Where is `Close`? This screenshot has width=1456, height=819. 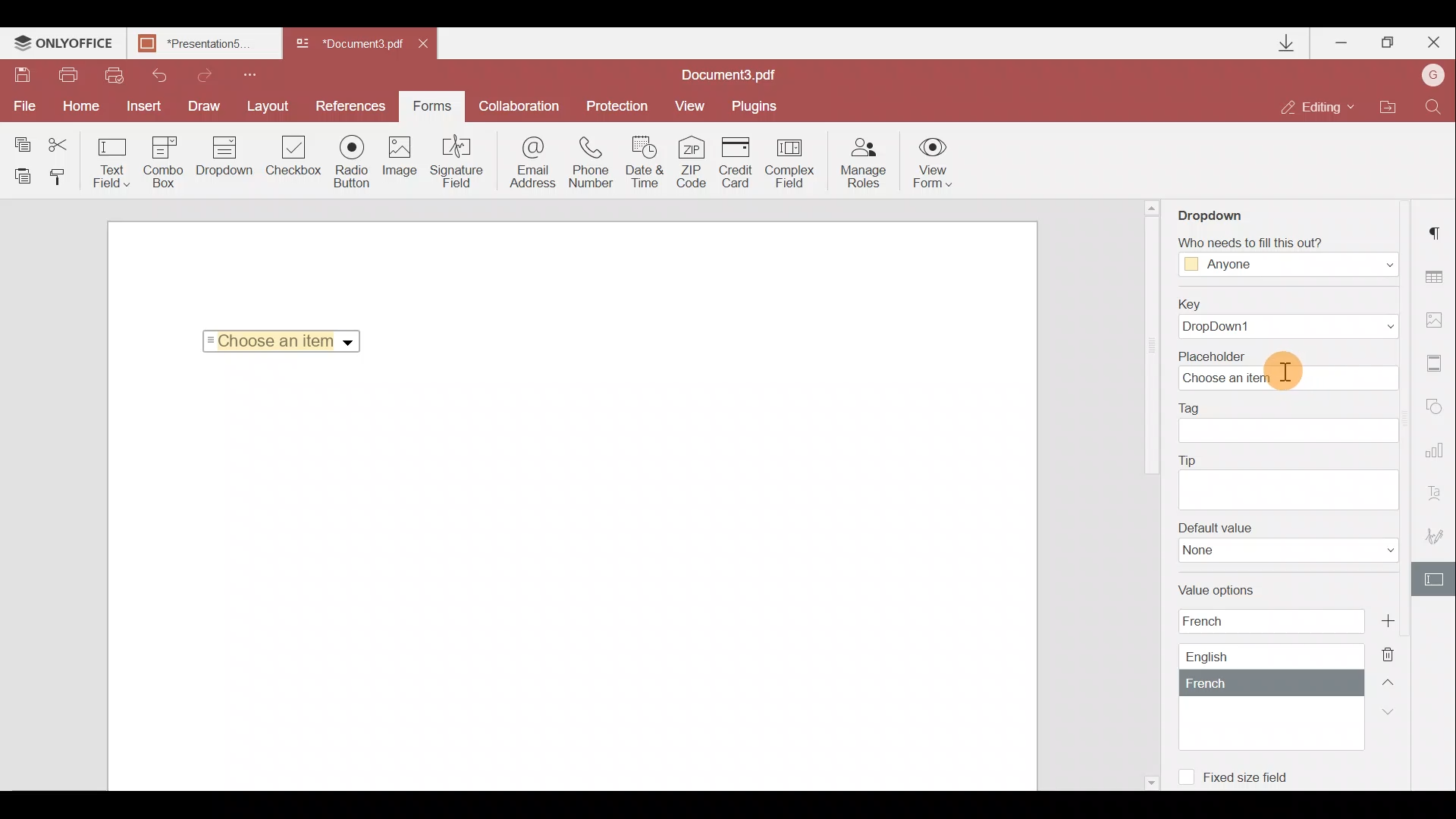
Close is located at coordinates (1432, 39).